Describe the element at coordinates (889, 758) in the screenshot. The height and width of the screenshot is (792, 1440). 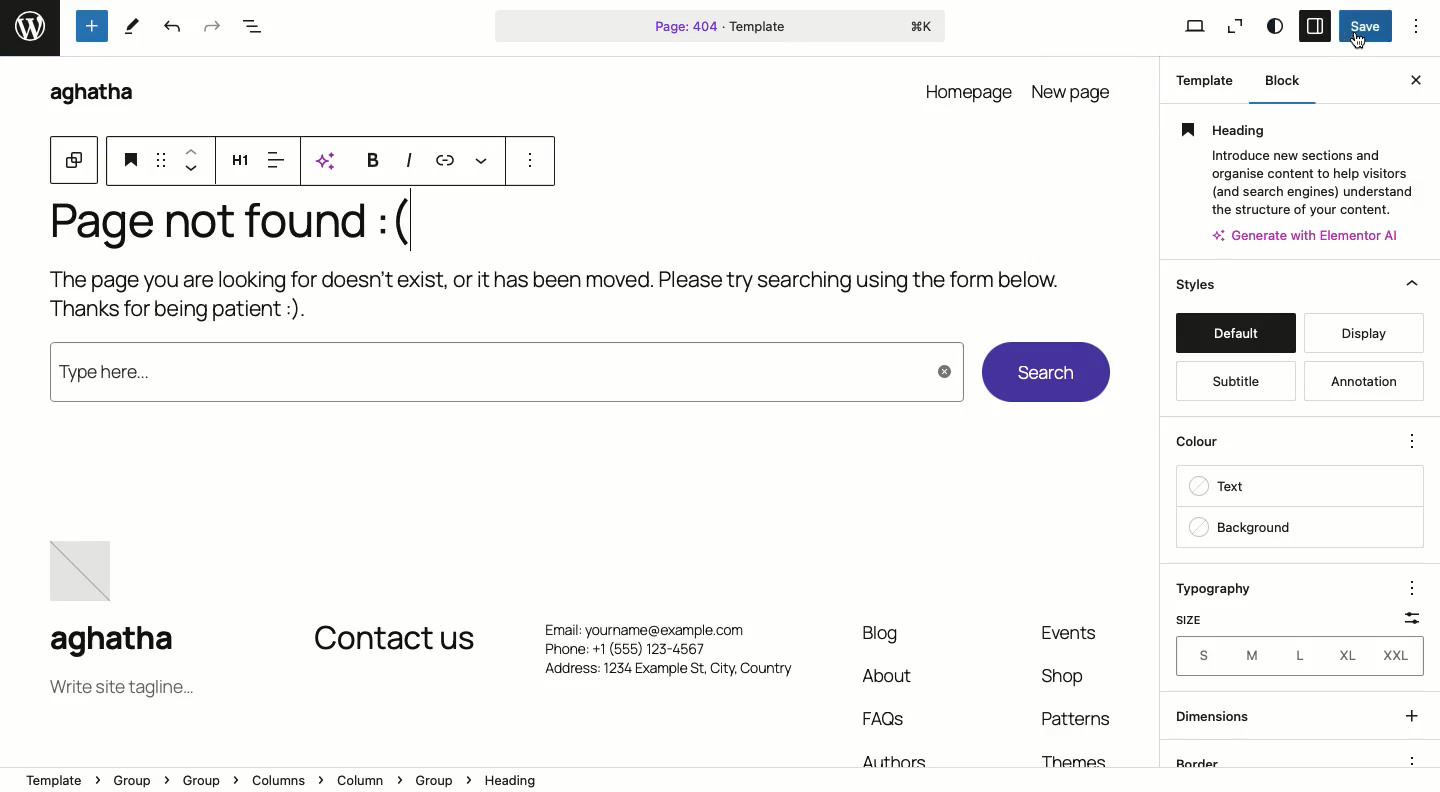
I see `Authors` at that location.